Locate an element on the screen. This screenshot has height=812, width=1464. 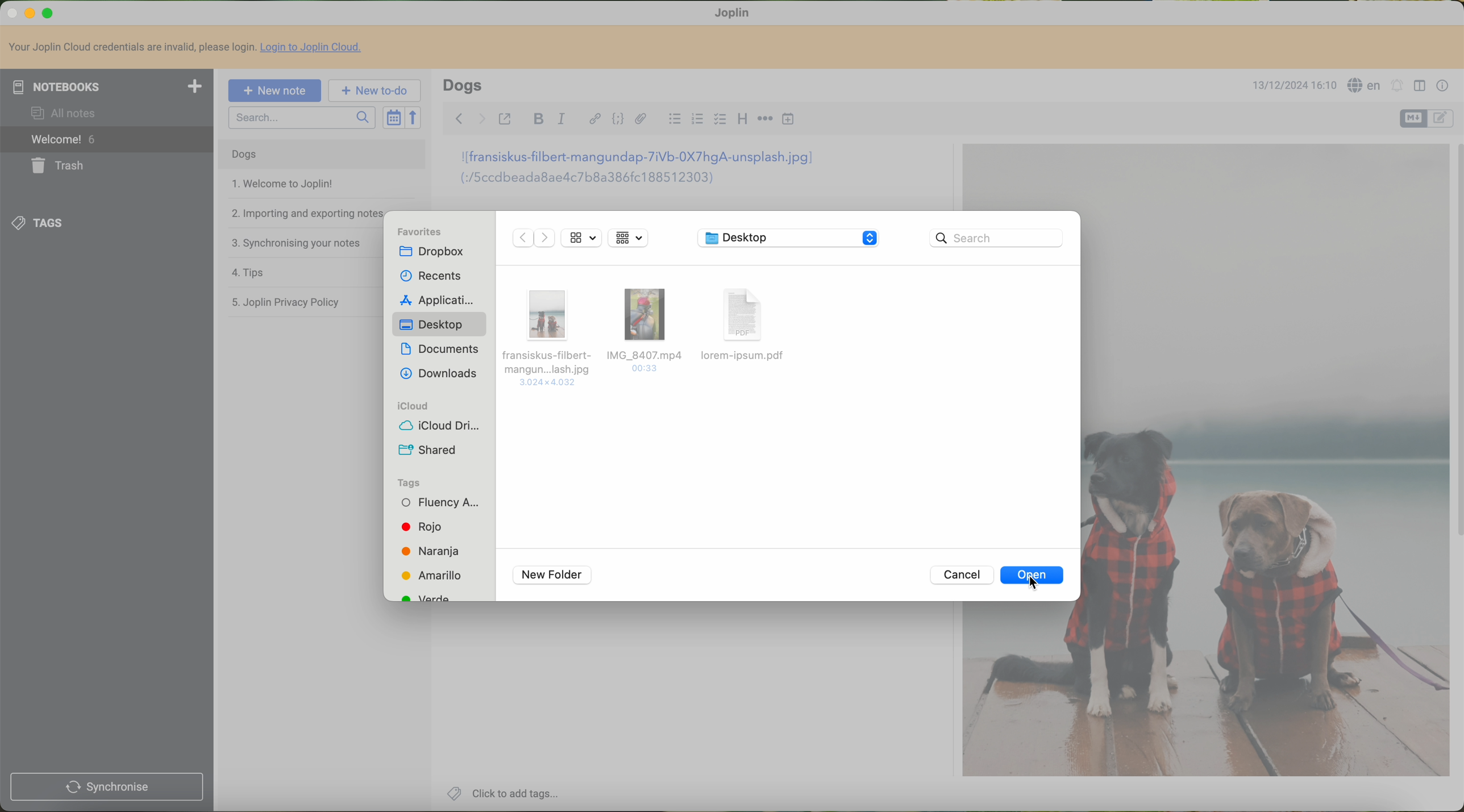
view of the icons is located at coordinates (627, 238).